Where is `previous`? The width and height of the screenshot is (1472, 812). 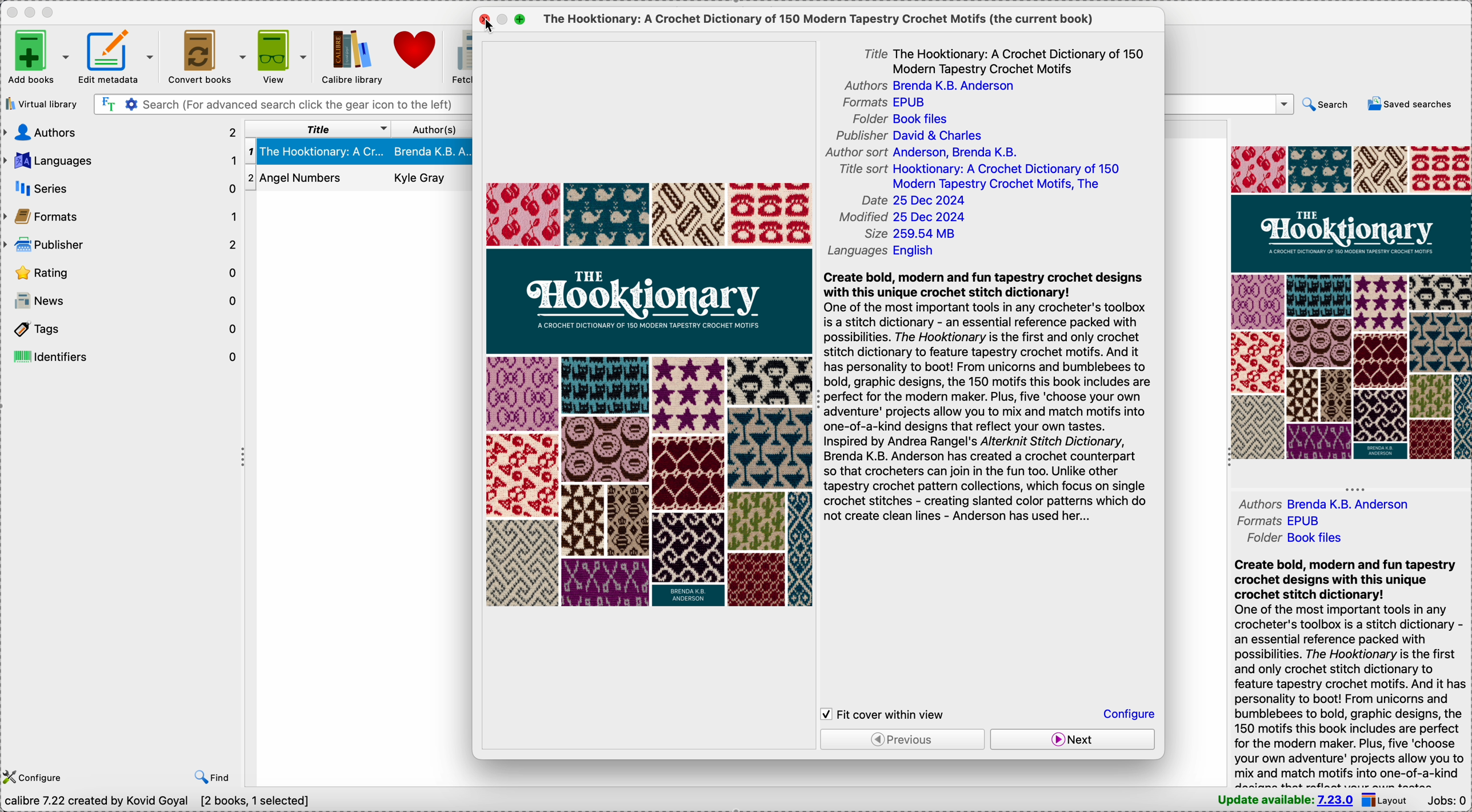 previous is located at coordinates (902, 739).